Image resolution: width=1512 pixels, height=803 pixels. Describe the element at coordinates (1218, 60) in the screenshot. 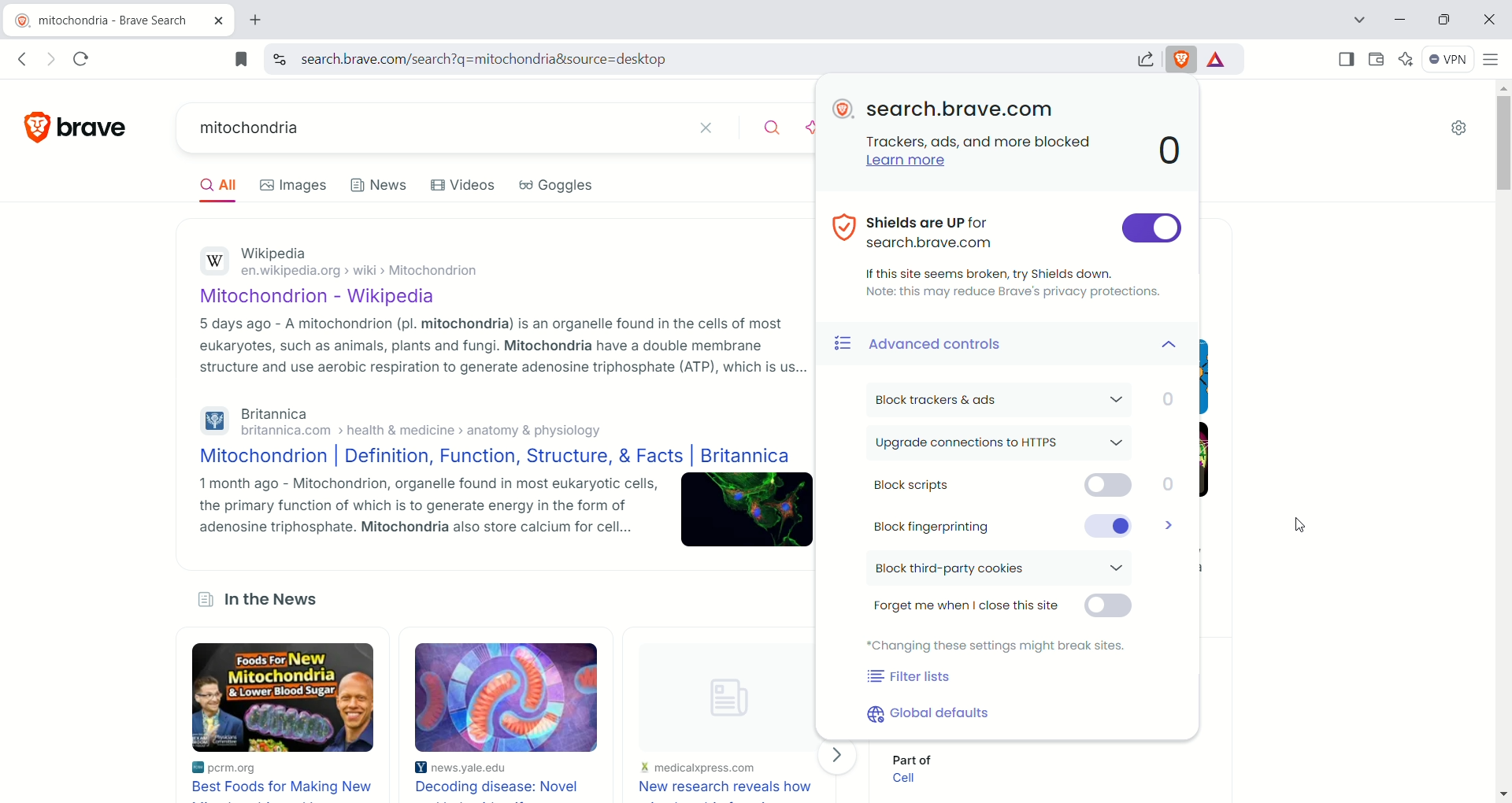

I see `rewards` at that location.